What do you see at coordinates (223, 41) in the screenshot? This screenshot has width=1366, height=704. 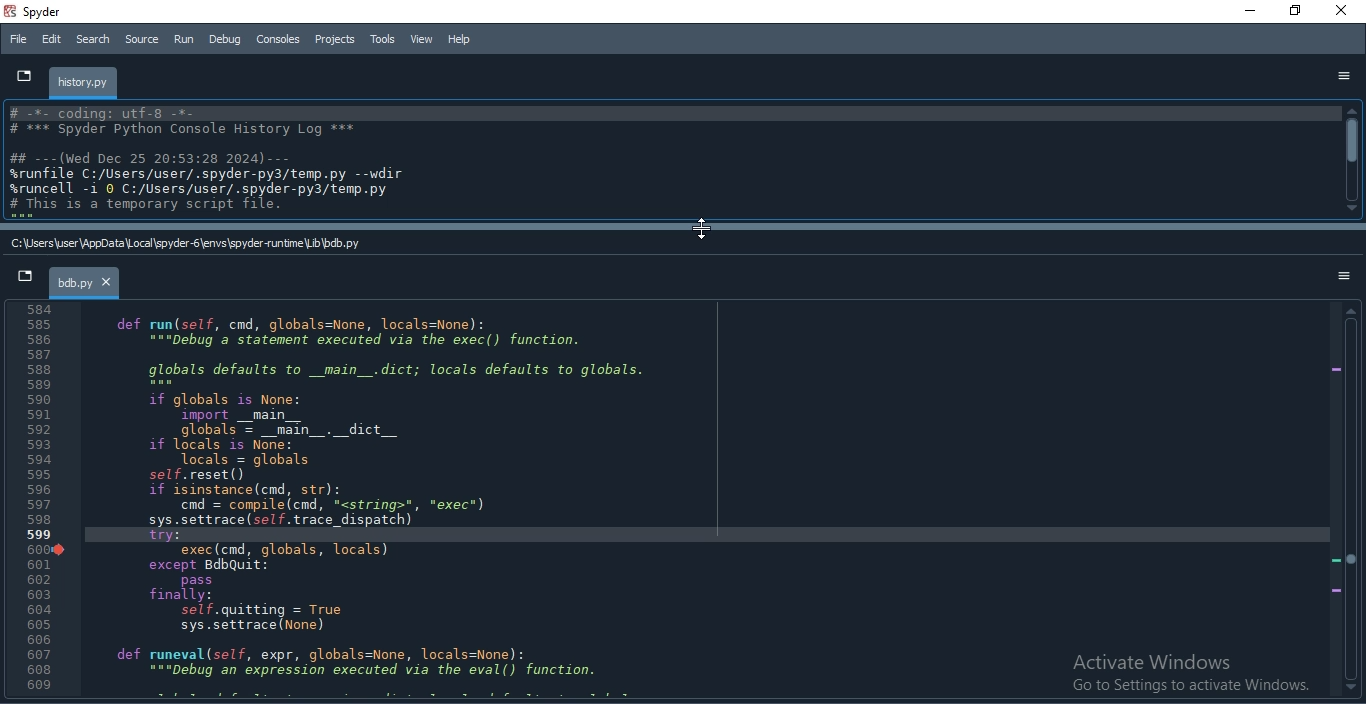 I see `Debug` at bounding box center [223, 41].